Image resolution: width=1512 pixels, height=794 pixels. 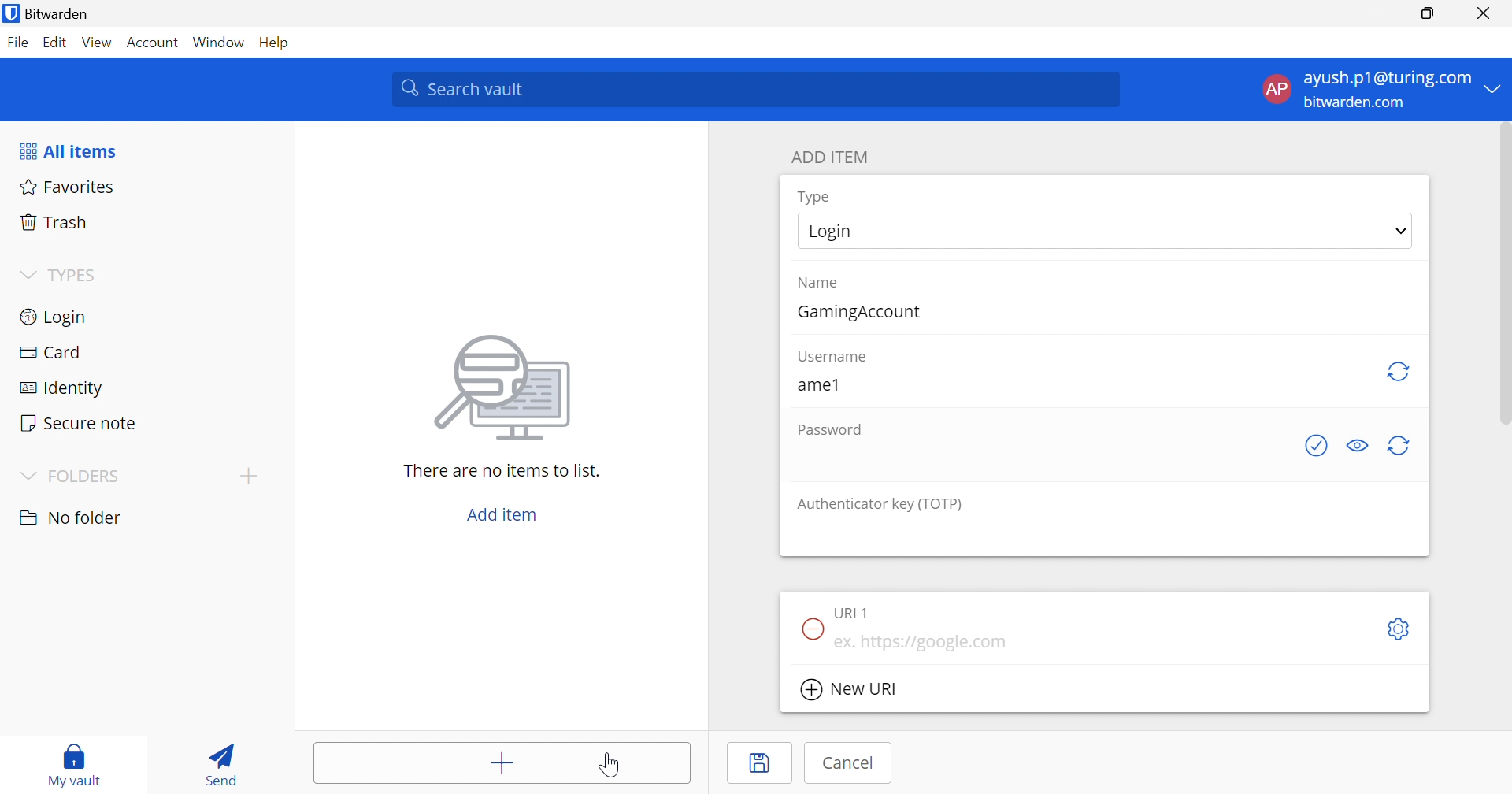 What do you see at coordinates (1400, 371) in the screenshot?
I see `Regenerate Username` at bounding box center [1400, 371].